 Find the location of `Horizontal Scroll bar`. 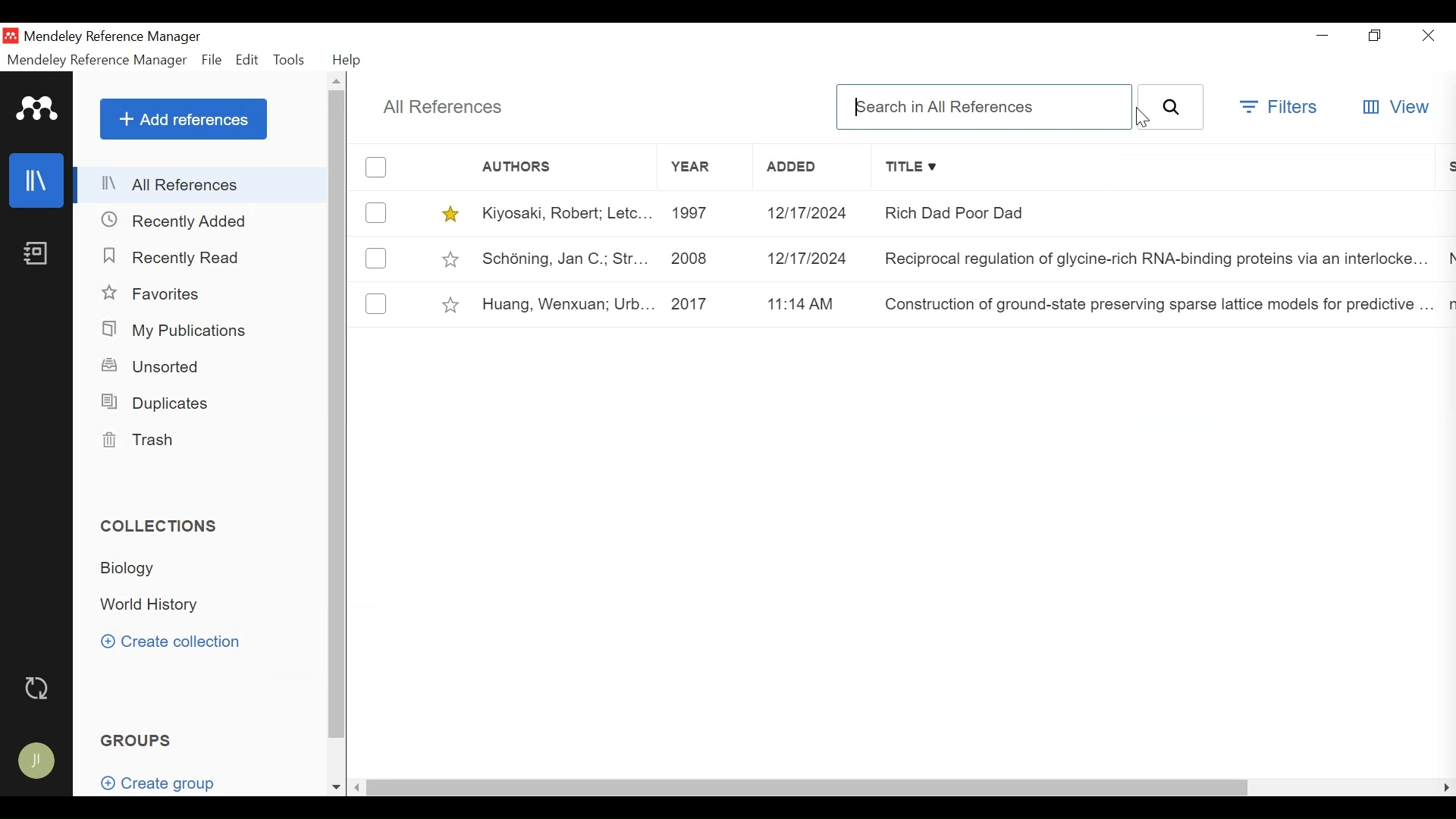

Horizontal Scroll bar is located at coordinates (807, 788).